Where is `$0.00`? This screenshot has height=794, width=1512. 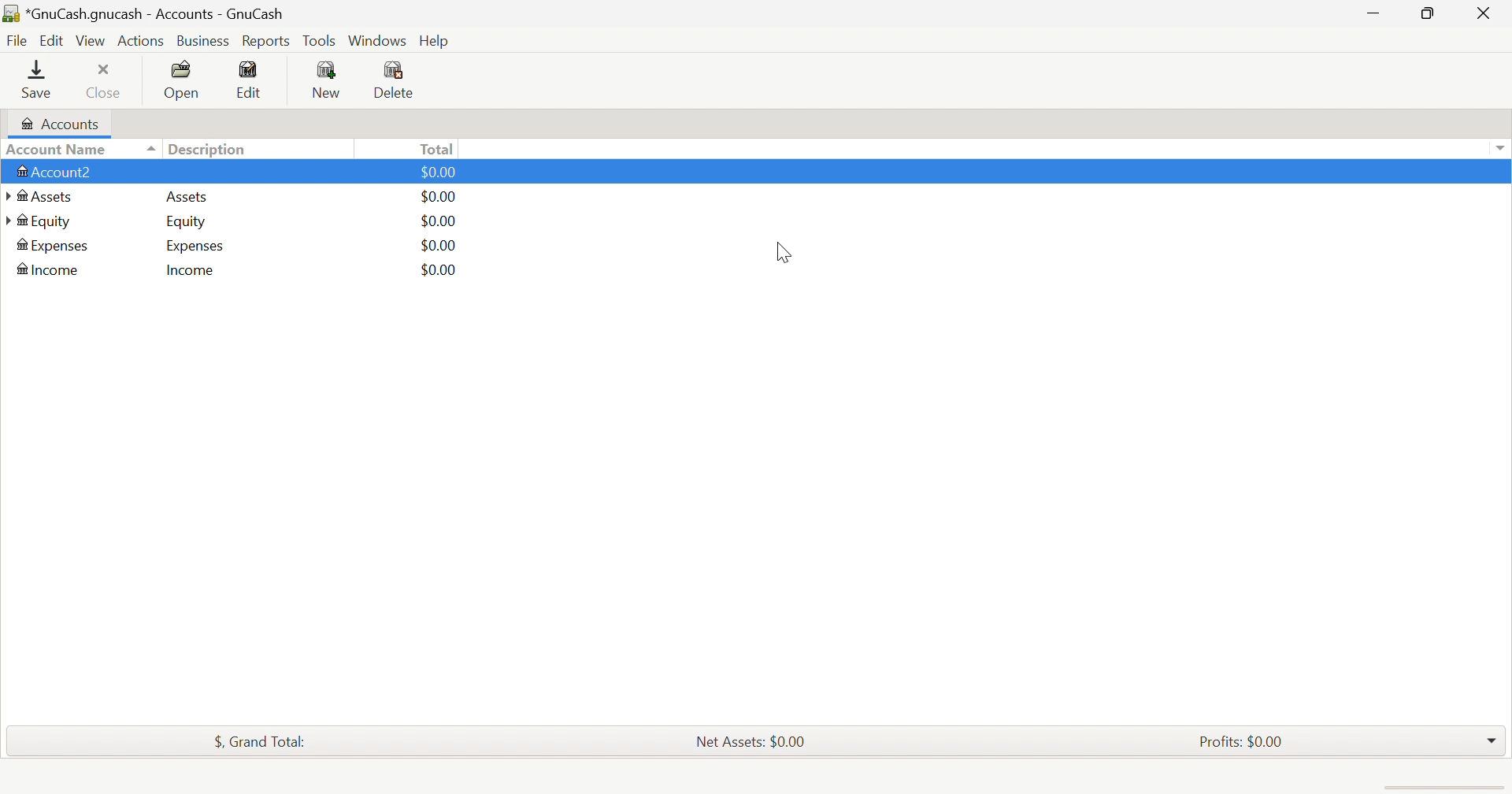
$0.00 is located at coordinates (440, 270).